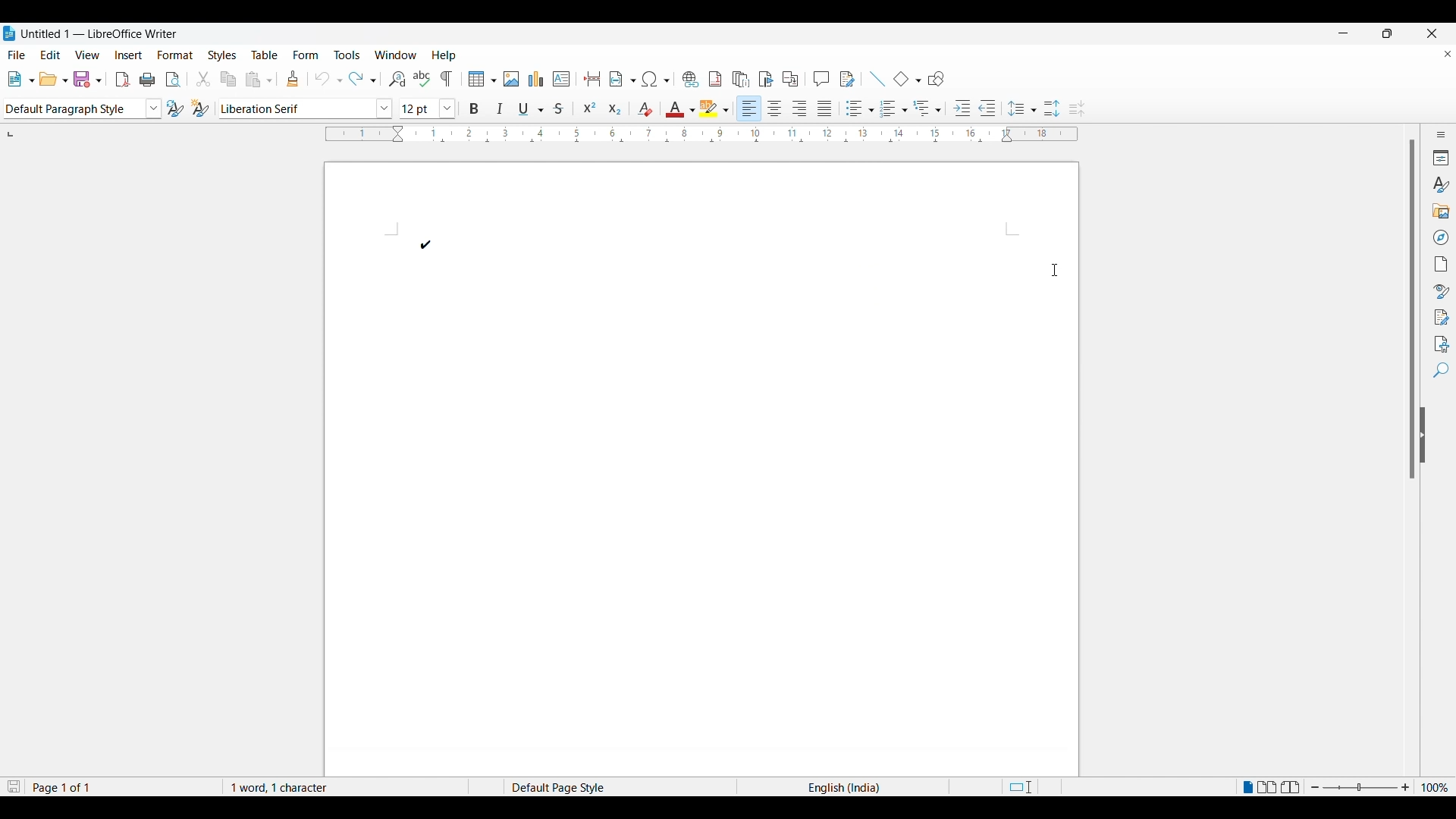 Image resolution: width=1456 pixels, height=819 pixels. I want to click on close, so click(1442, 55).